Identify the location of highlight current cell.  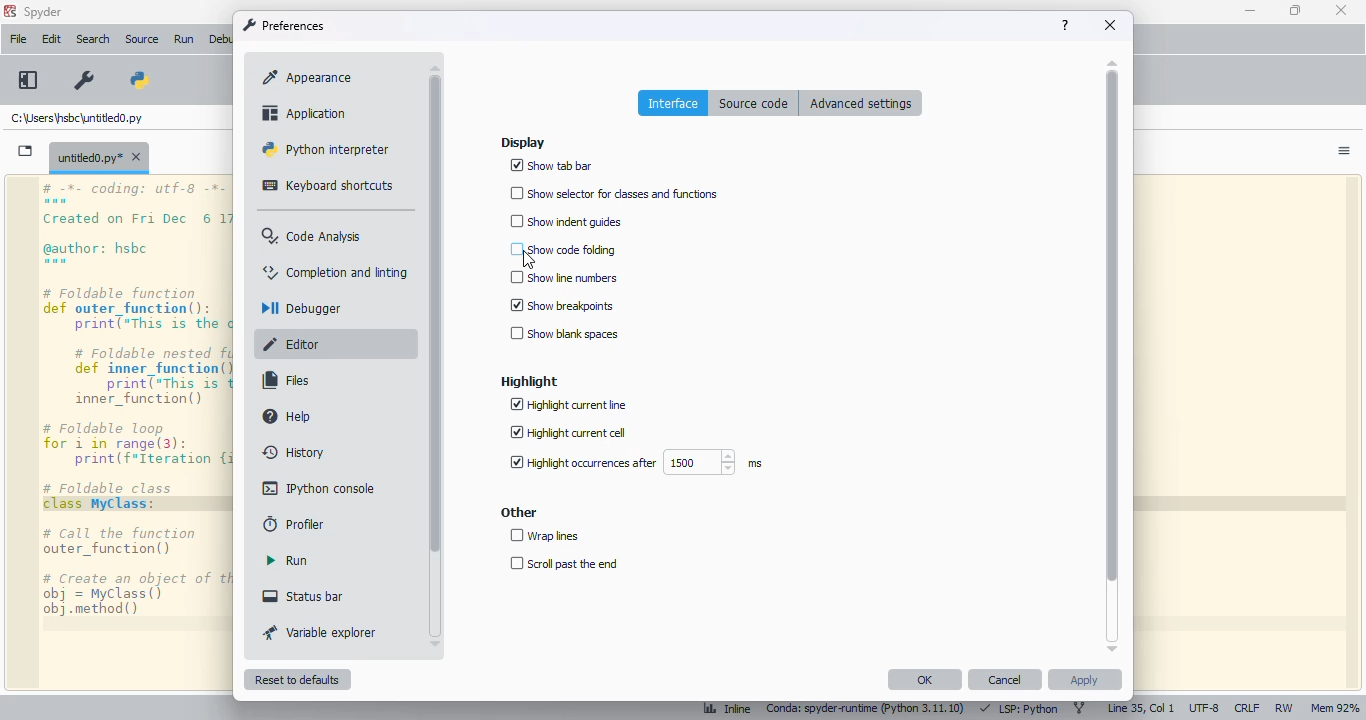
(568, 432).